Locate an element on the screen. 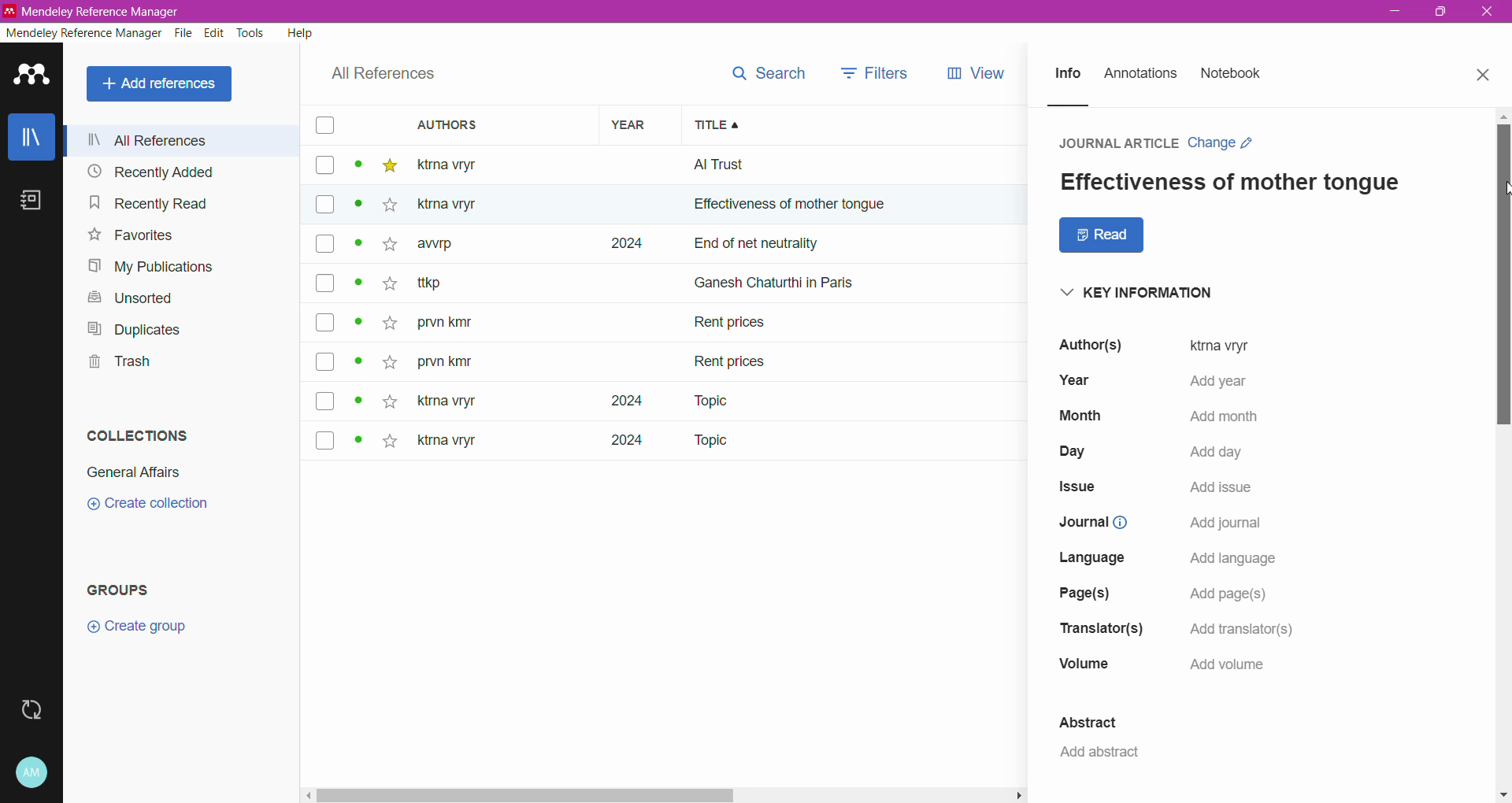 This screenshot has height=803, width=1512. all trust is located at coordinates (803, 165).